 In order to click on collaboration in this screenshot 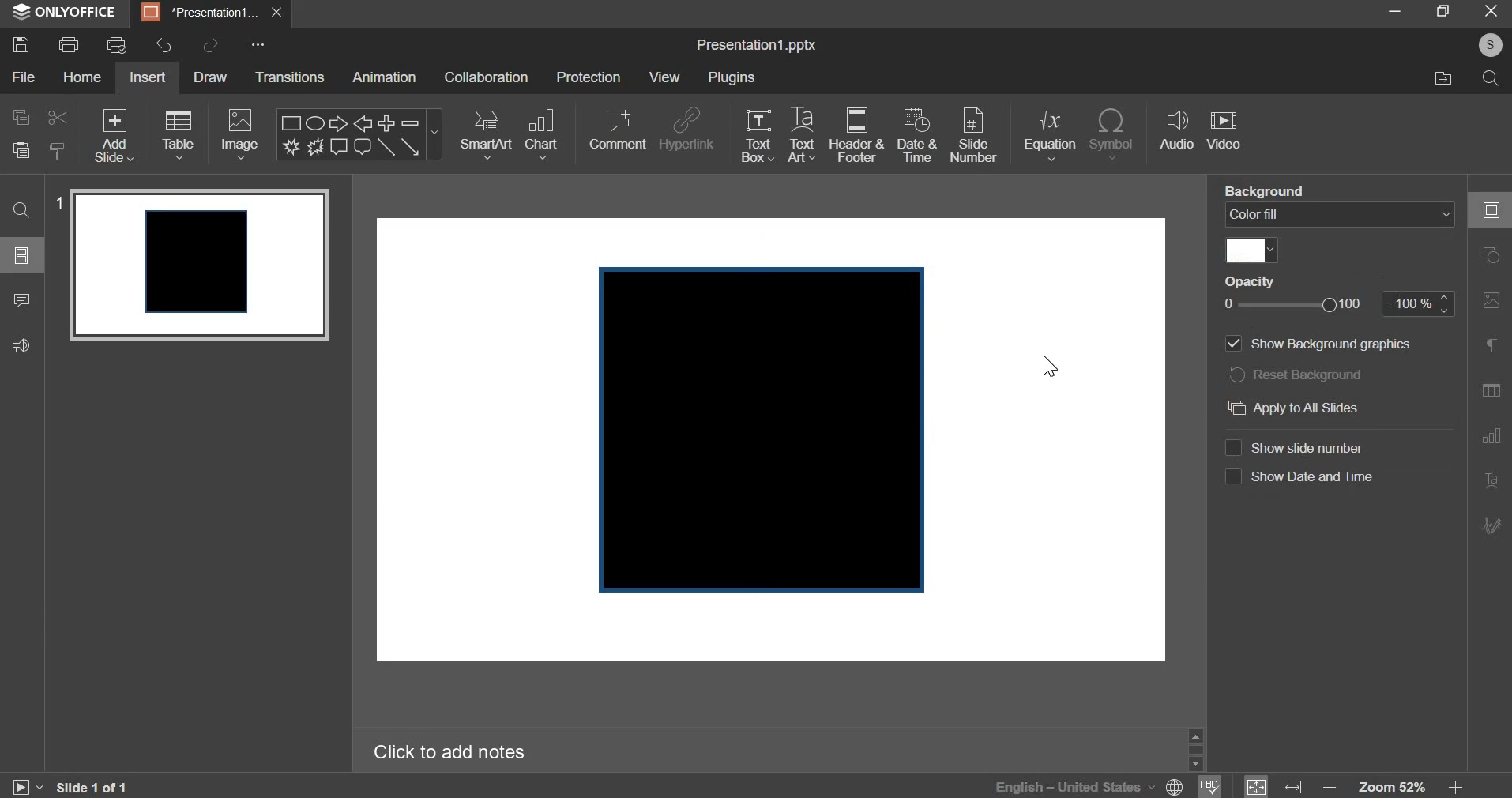, I will do `click(485, 77)`.